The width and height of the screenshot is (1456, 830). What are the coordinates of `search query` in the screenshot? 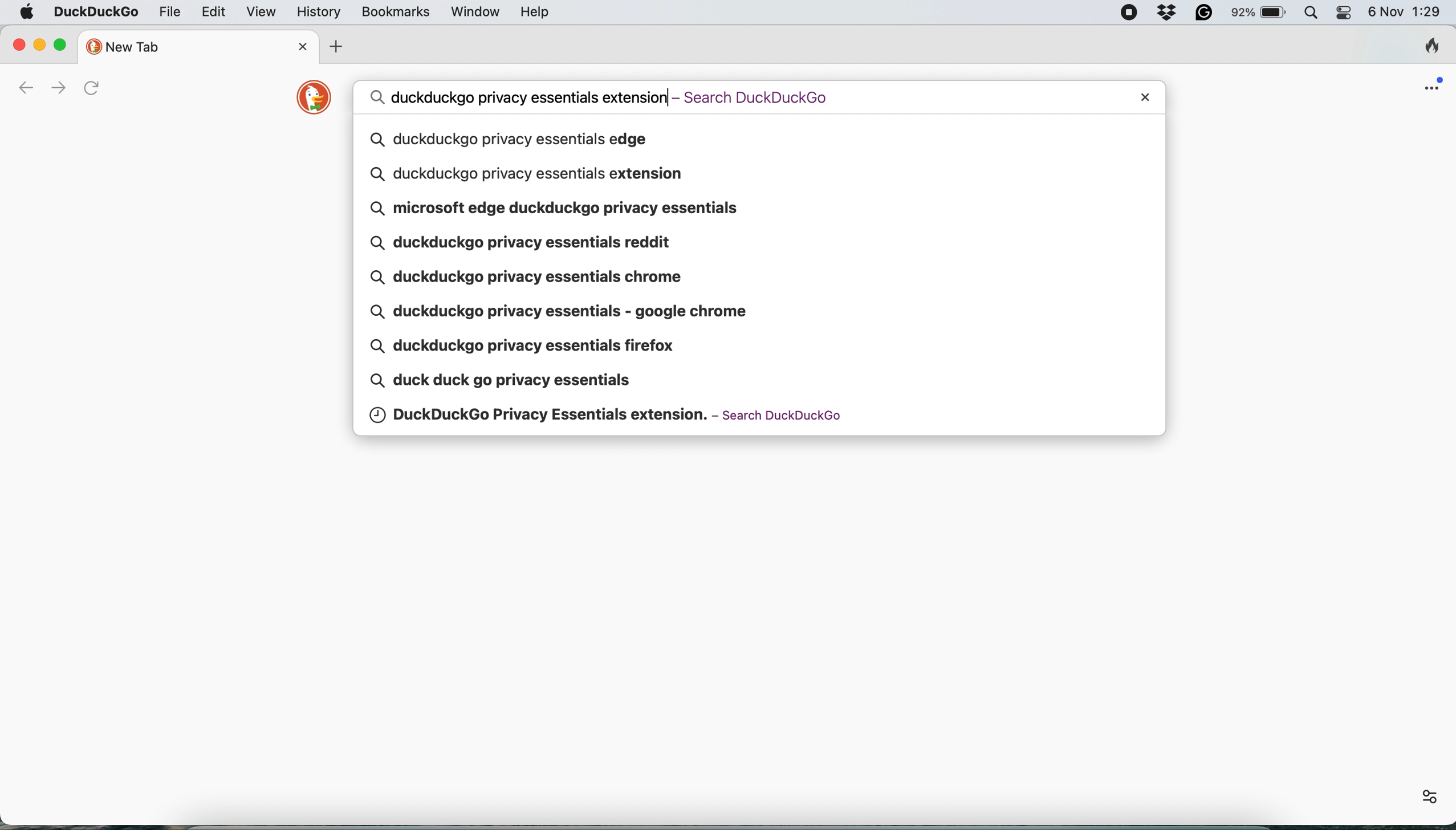 It's located at (616, 97).